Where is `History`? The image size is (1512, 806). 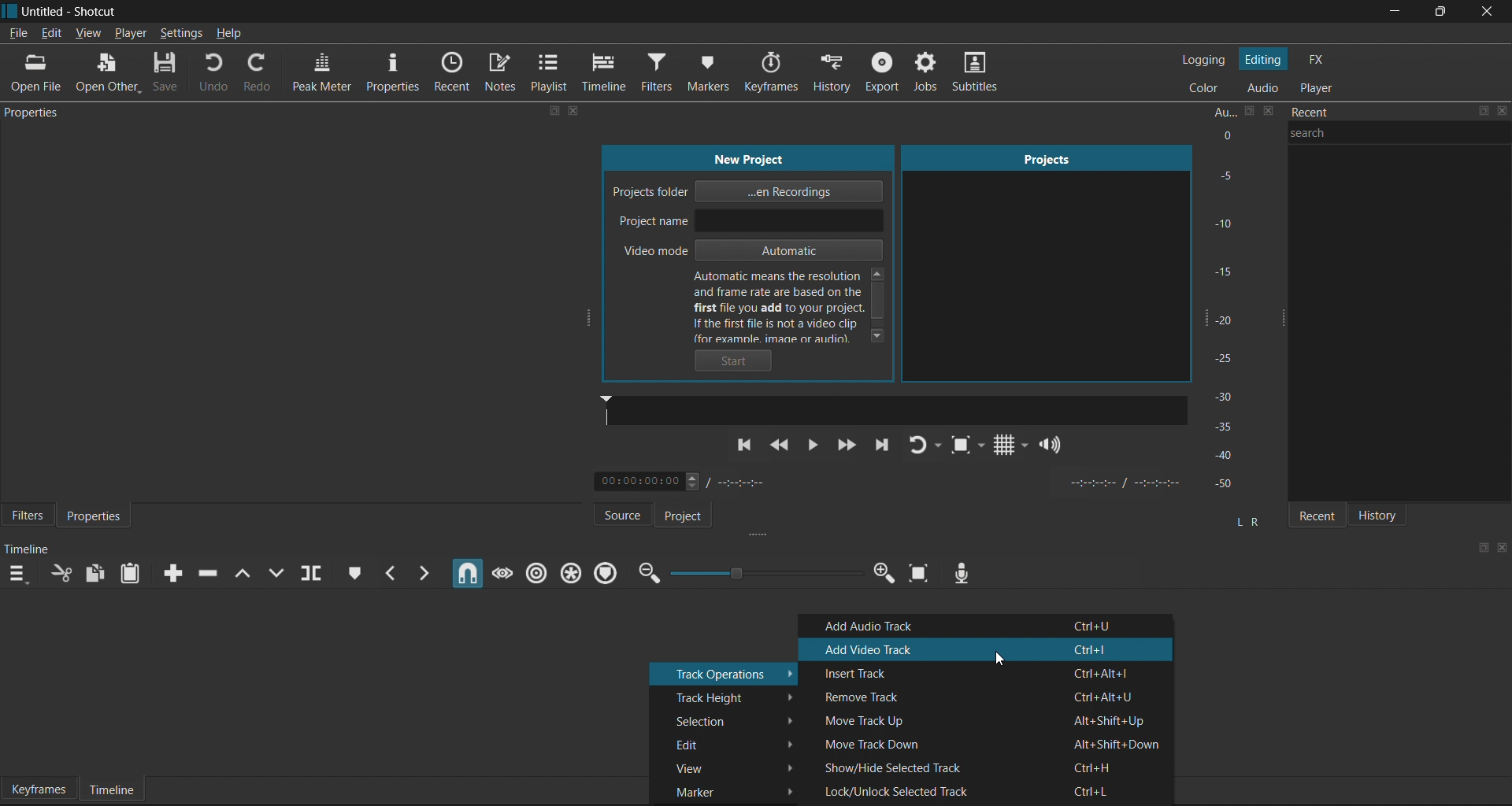
History is located at coordinates (833, 71).